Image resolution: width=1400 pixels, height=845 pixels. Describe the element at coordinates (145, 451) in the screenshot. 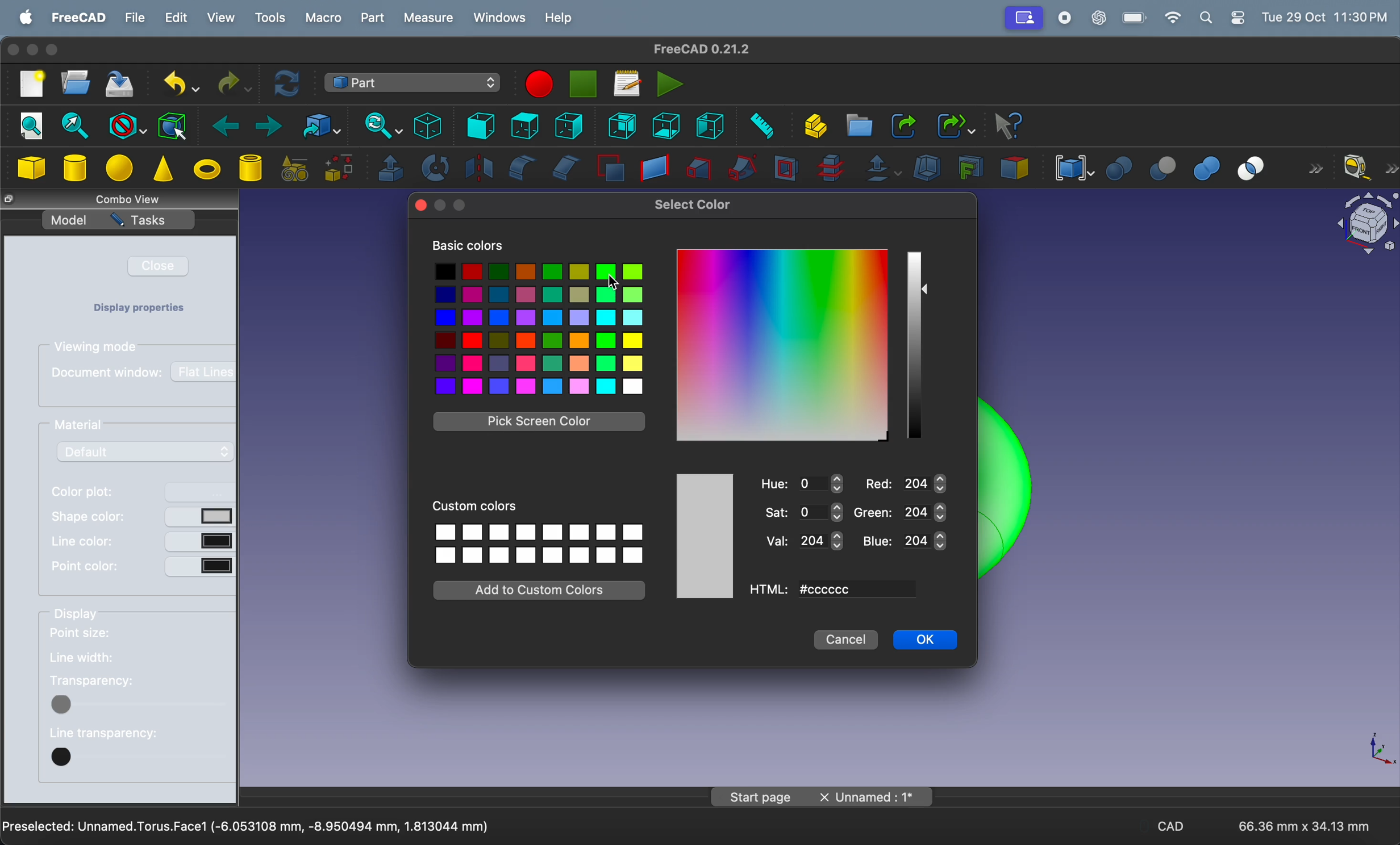

I see `default` at that location.